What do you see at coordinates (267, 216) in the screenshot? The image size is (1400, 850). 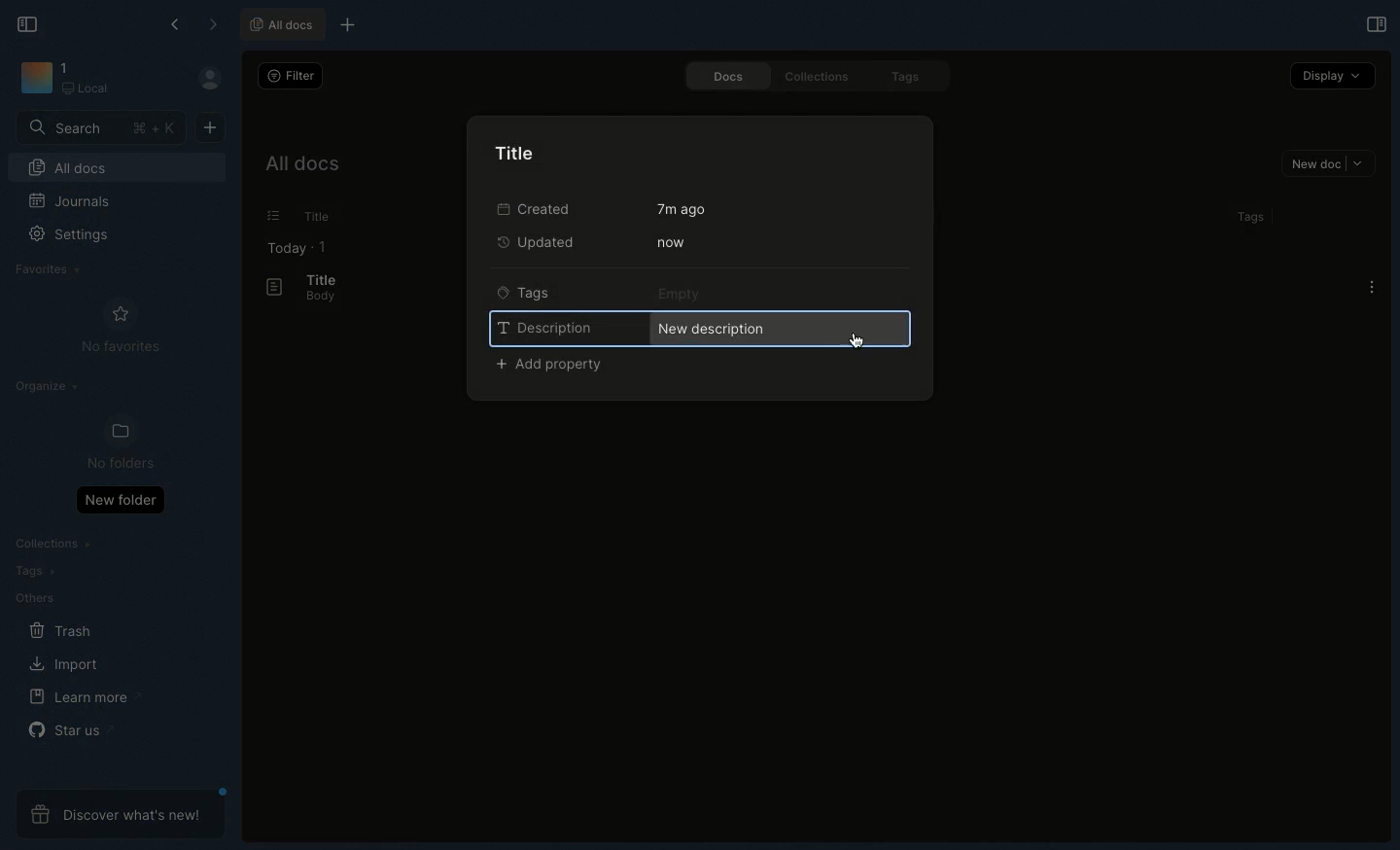 I see `Lists` at bounding box center [267, 216].